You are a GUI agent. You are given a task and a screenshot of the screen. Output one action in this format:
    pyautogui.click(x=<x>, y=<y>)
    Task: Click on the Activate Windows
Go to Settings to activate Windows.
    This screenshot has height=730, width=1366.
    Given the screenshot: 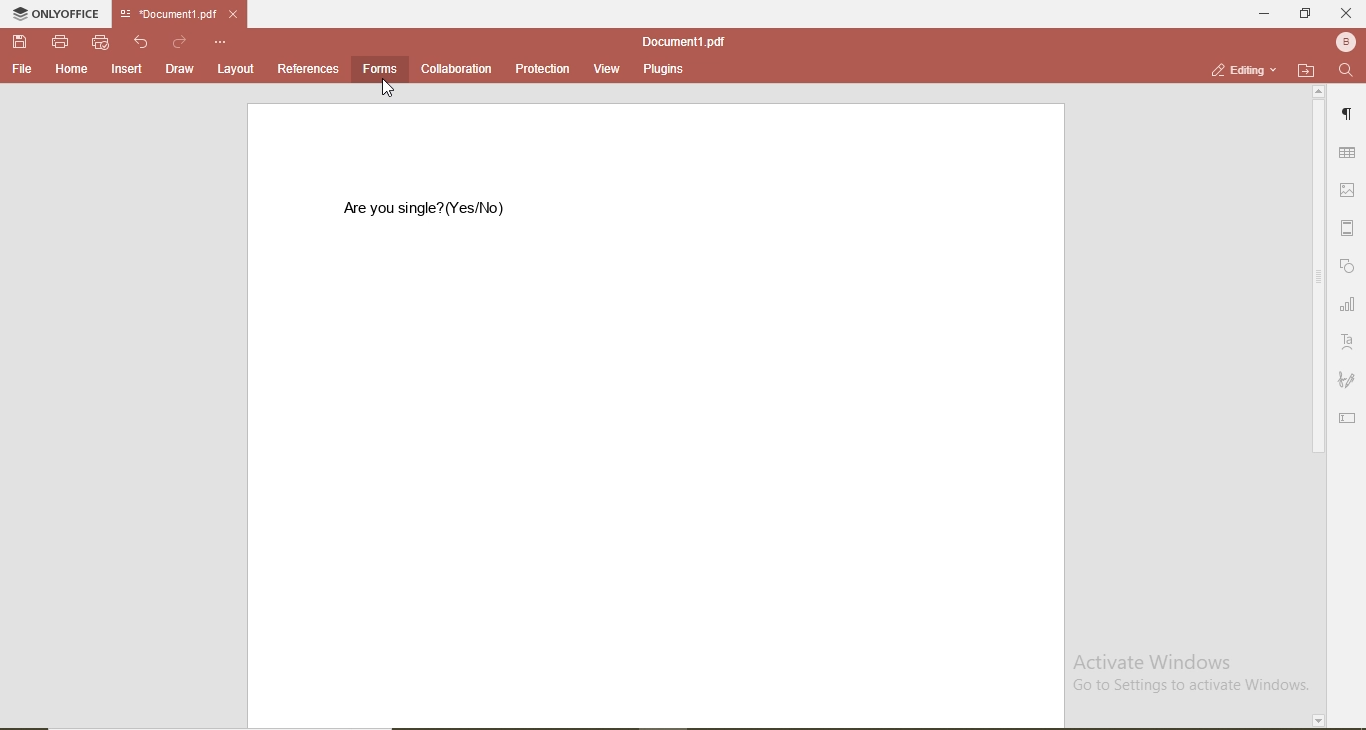 What is the action you would take?
    pyautogui.click(x=1182, y=670)
    